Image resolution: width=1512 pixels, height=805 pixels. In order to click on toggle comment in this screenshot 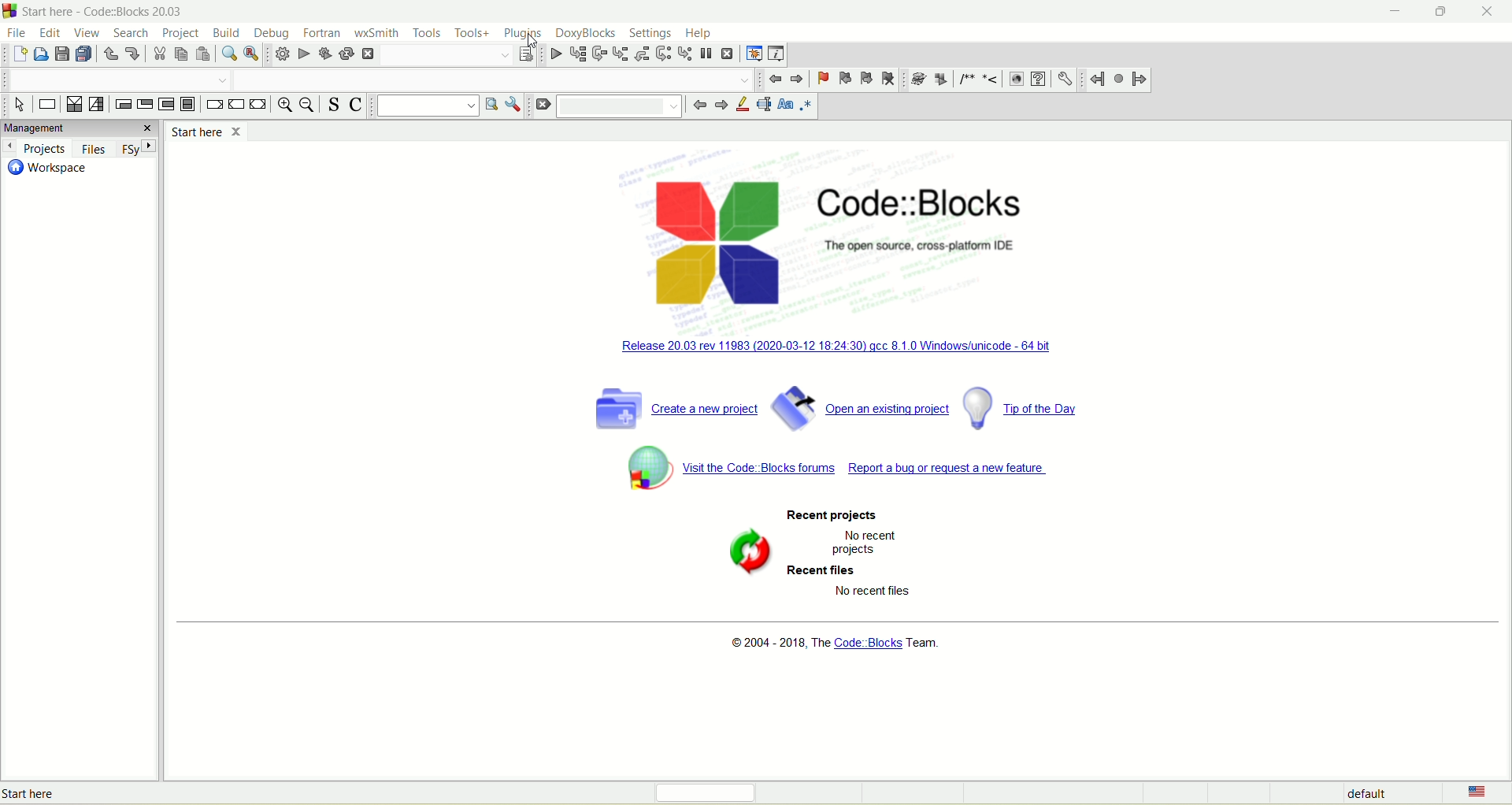, I will do `click(355, 104)`.